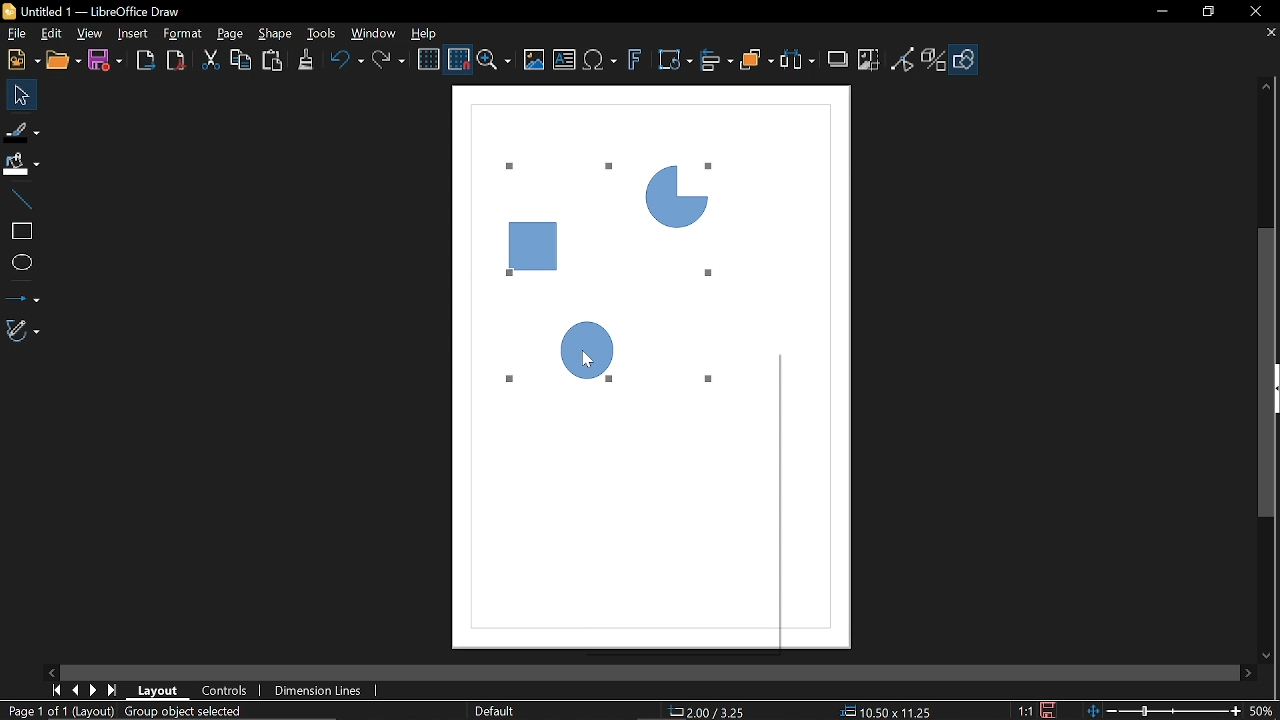 Image resolution: width=1280 pixels, height=720 pixels. Describe the element at coordinates (20, 60) in the screenshot. I see `New` at that location.